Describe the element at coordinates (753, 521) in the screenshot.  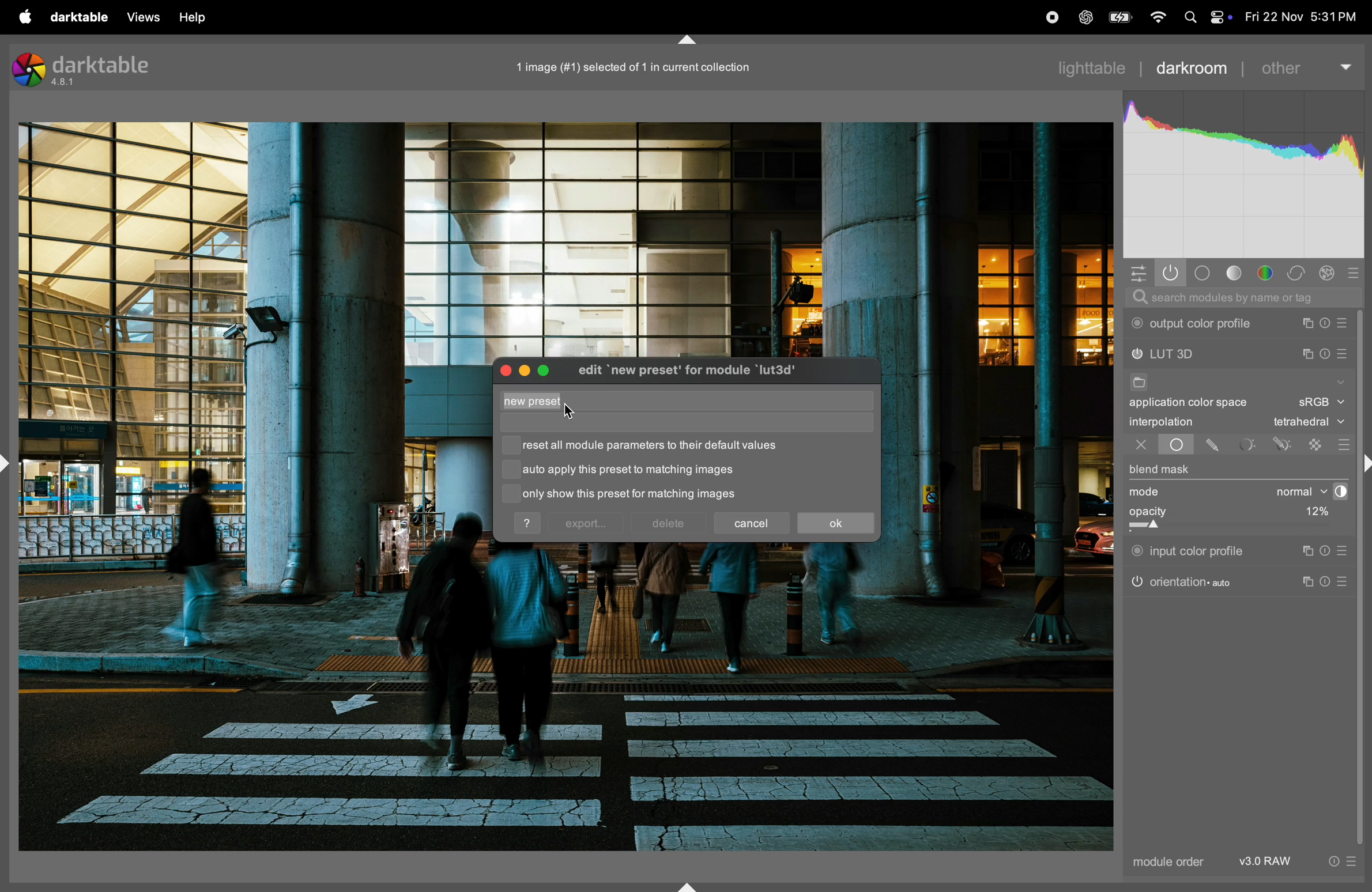
I see `cancel` at that location.